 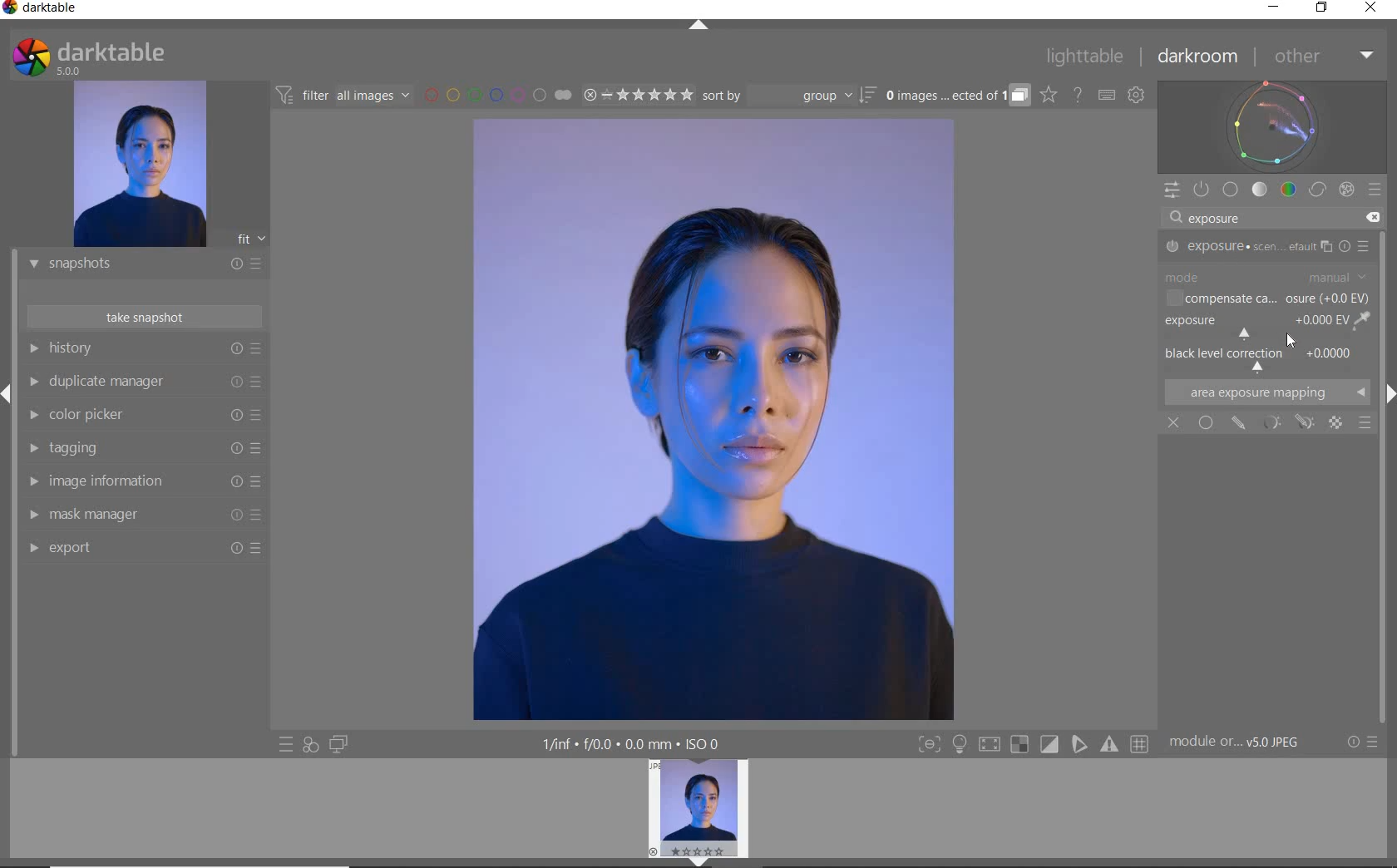 What do you see at coordinates (1240, 423) in the screenshot?
I see `MASK OPTION` at bounding box center [1240, 423].